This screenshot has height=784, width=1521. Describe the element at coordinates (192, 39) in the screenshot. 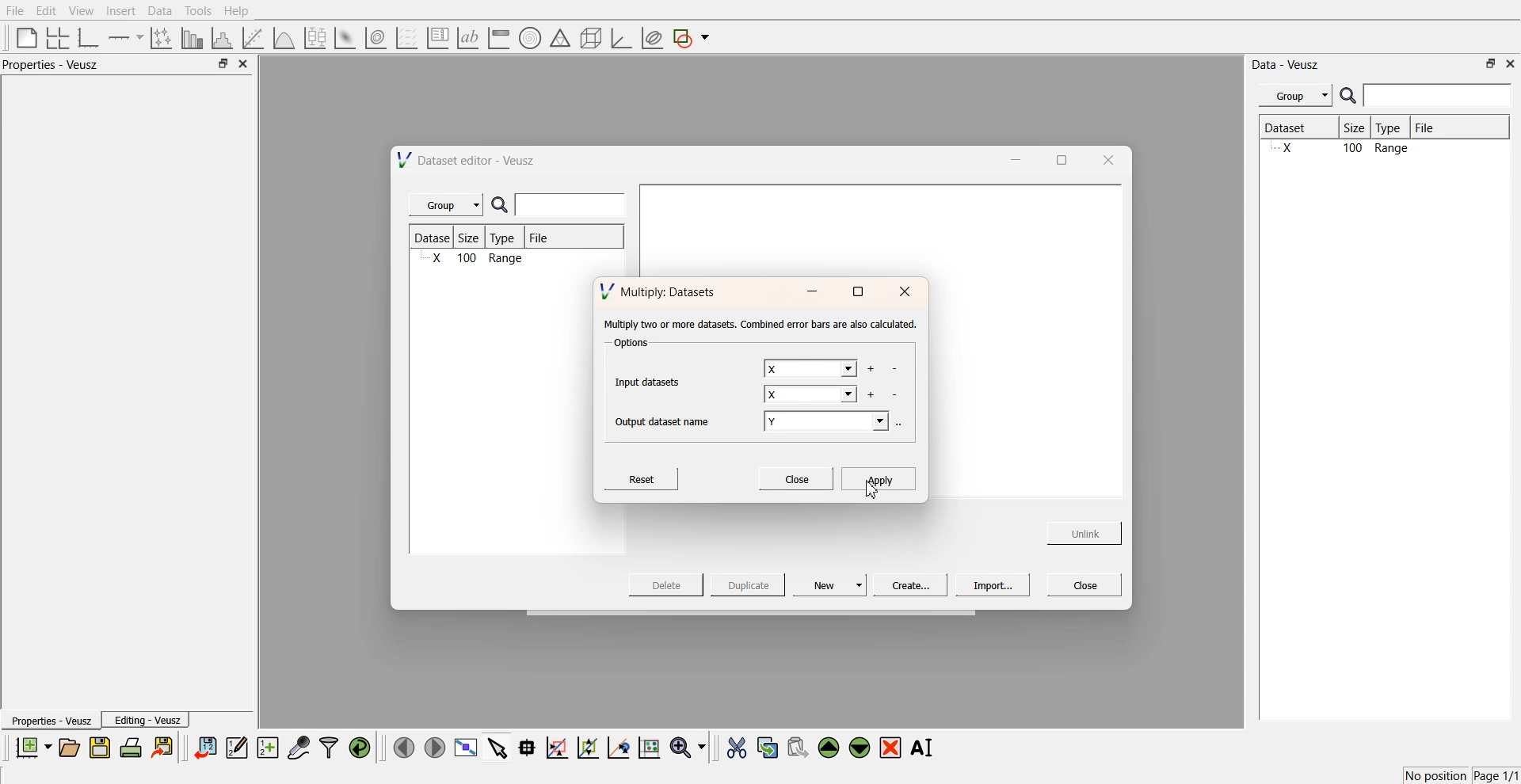

I see `plot bar chart` at that location.